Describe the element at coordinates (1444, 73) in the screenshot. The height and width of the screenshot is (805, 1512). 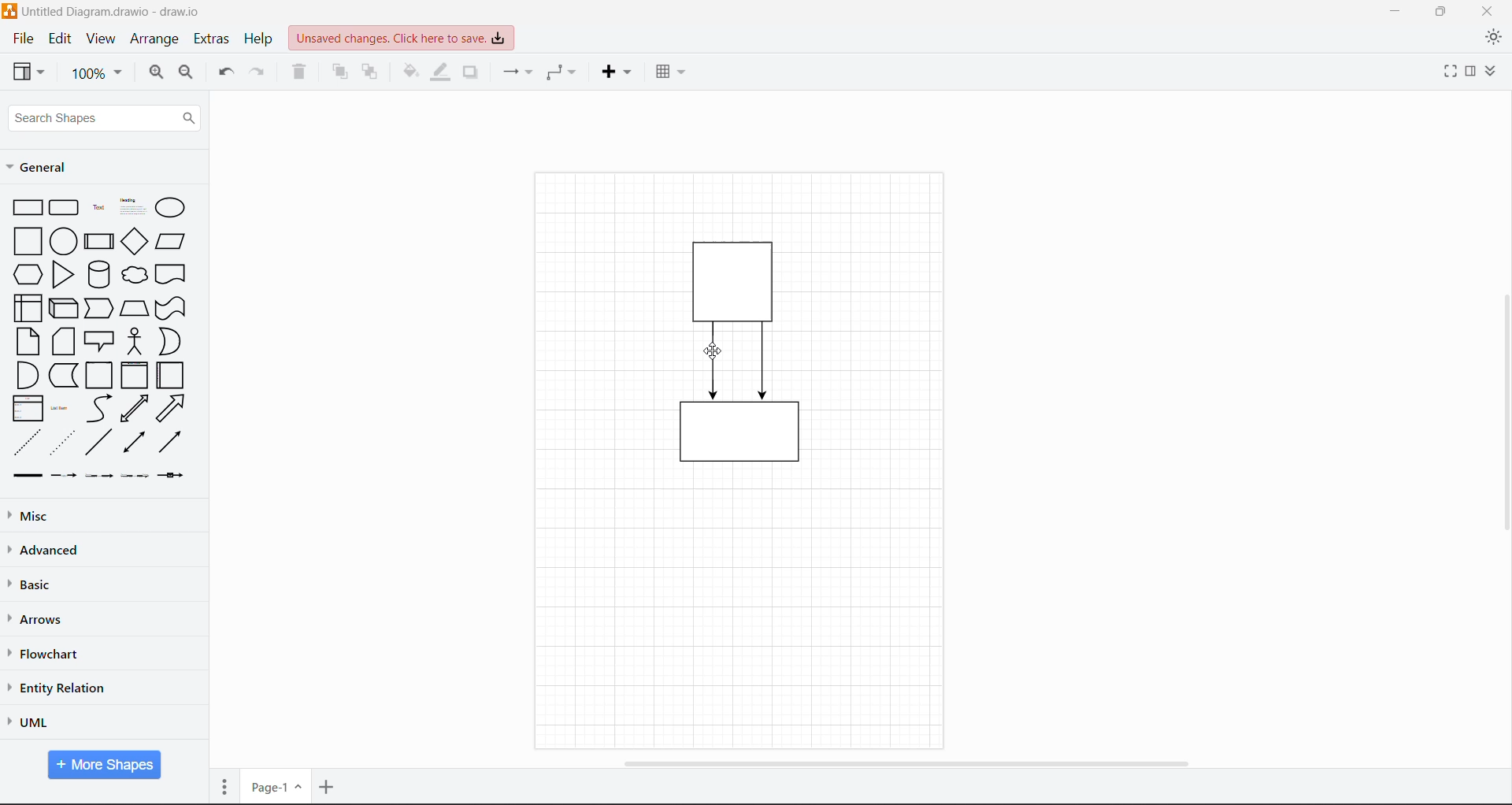
I see `Fullscreen` at that location.